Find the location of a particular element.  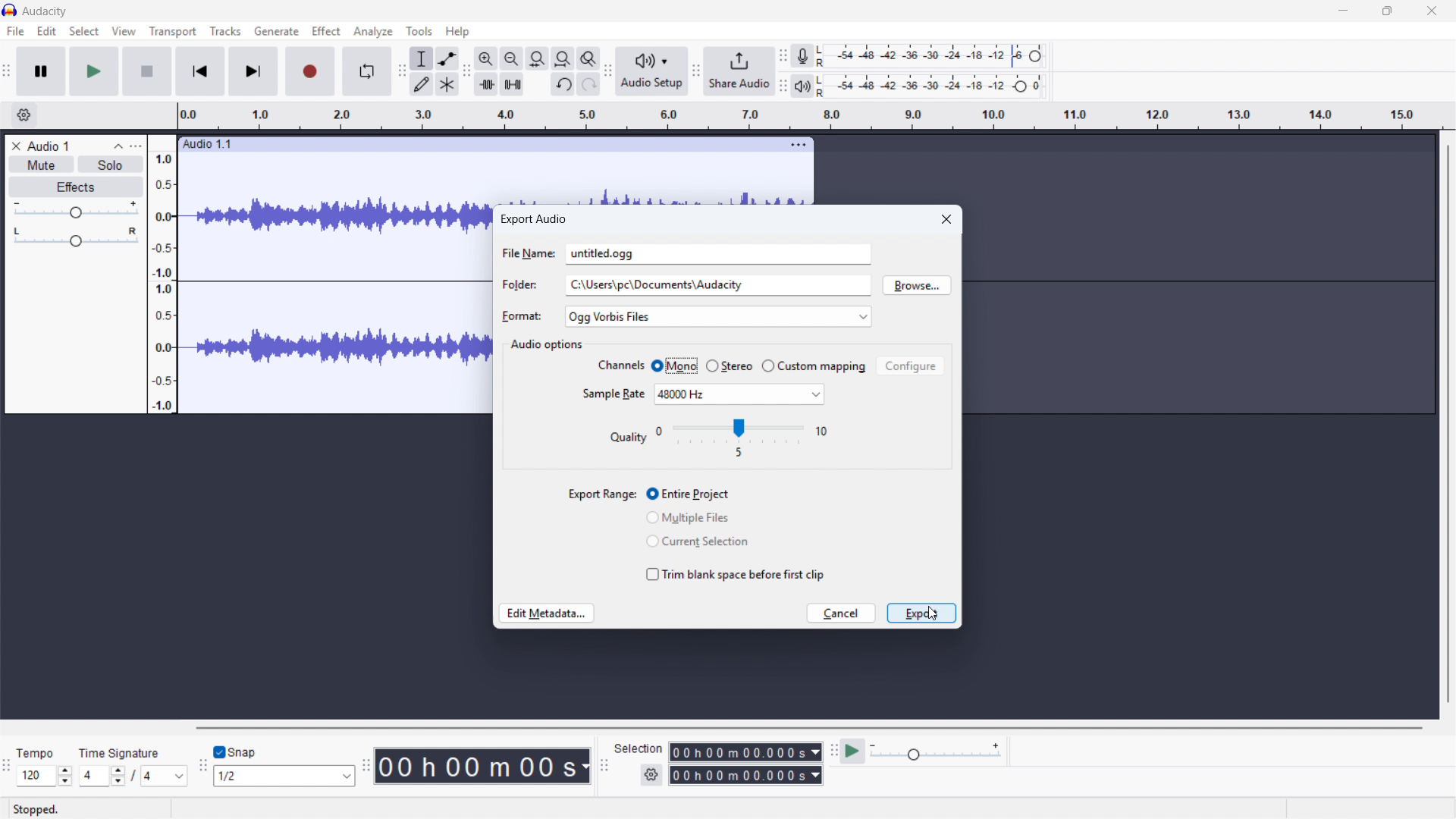

Logo  is located at coordinates (10, 10).